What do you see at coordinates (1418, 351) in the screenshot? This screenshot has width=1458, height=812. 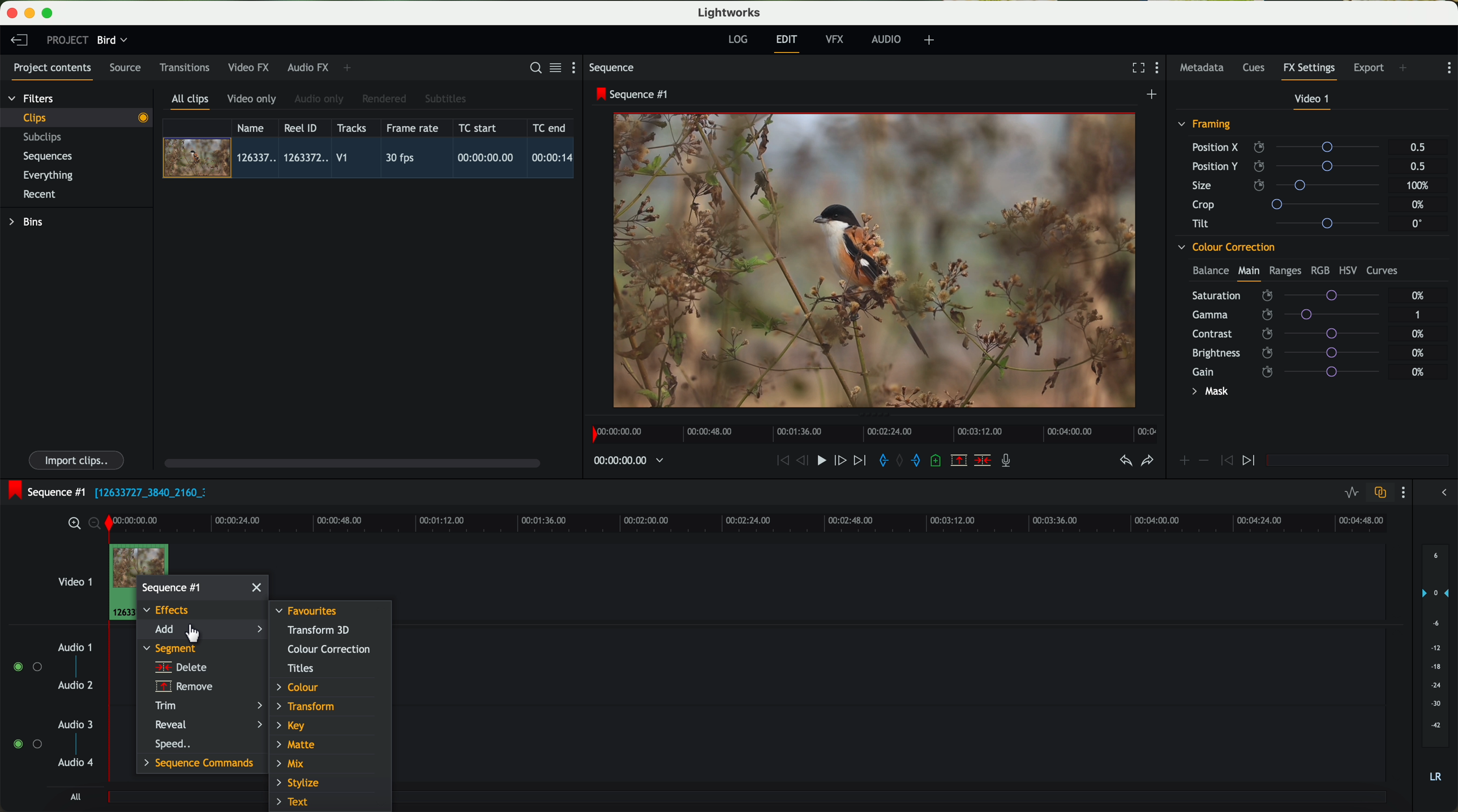 I see `0%` at bounding box center [1418, 351].